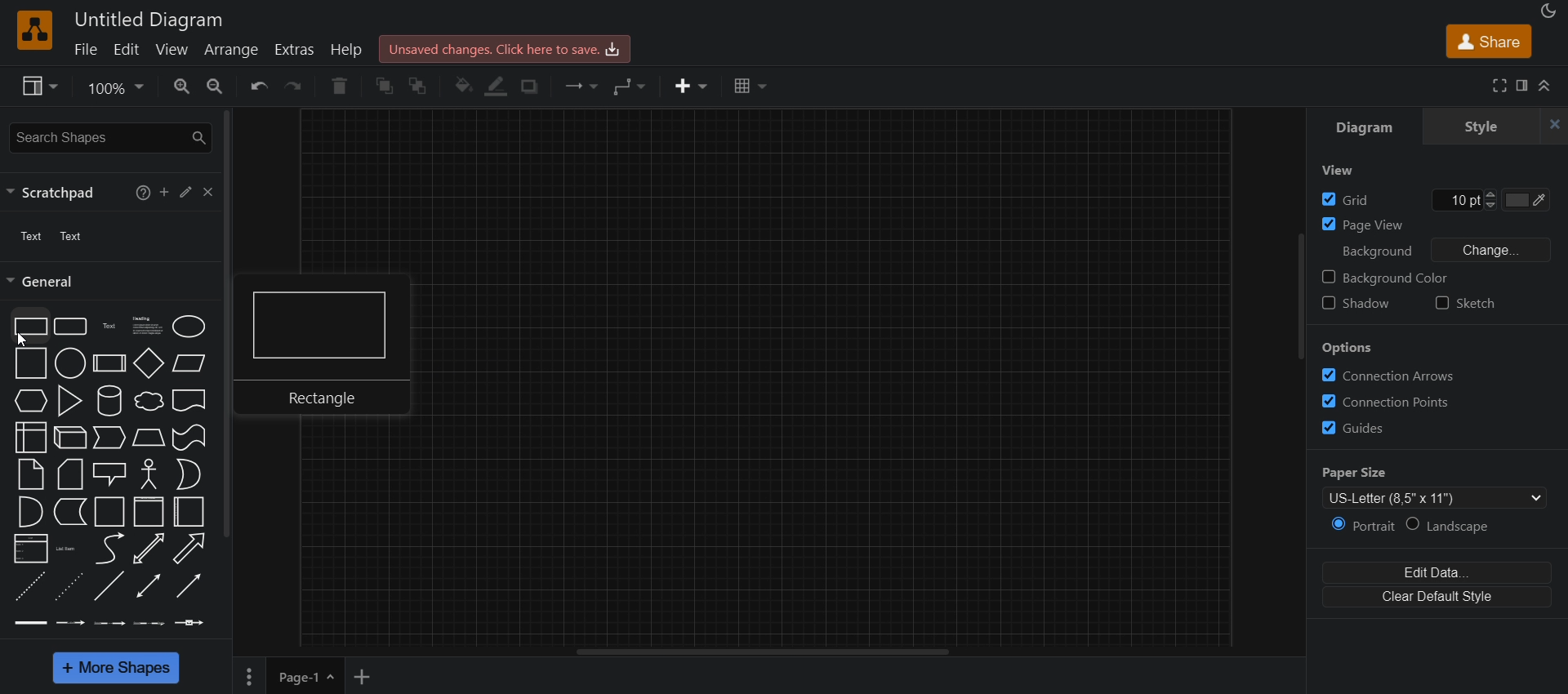 Image resolution: width=1568 pixels, height=694 pixels. Describe the element at coordinates (144, 191) in the screenshot. I see `help` at that location.